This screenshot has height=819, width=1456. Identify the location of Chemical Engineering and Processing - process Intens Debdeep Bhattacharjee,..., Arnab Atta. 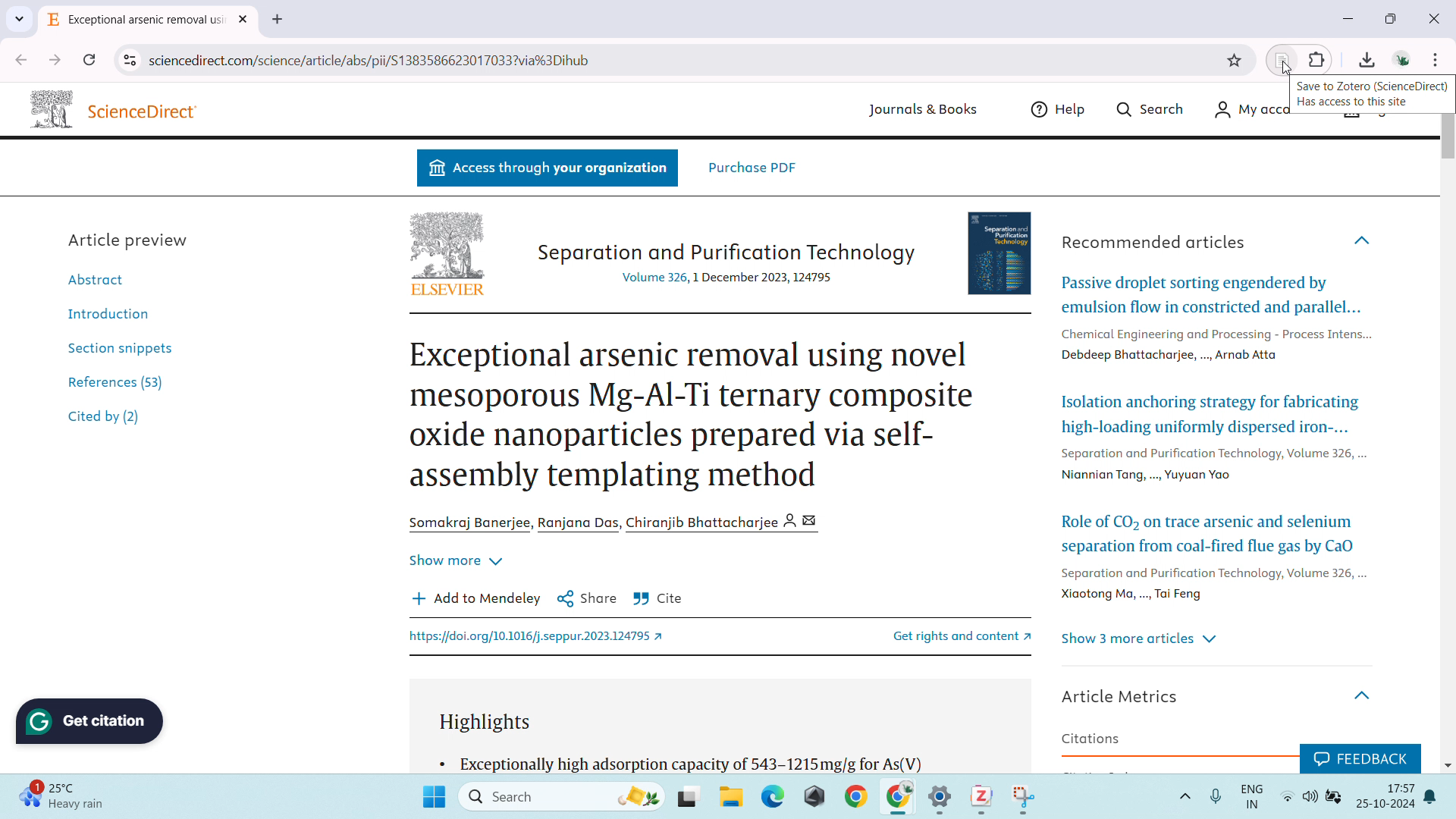
(1213, 343).